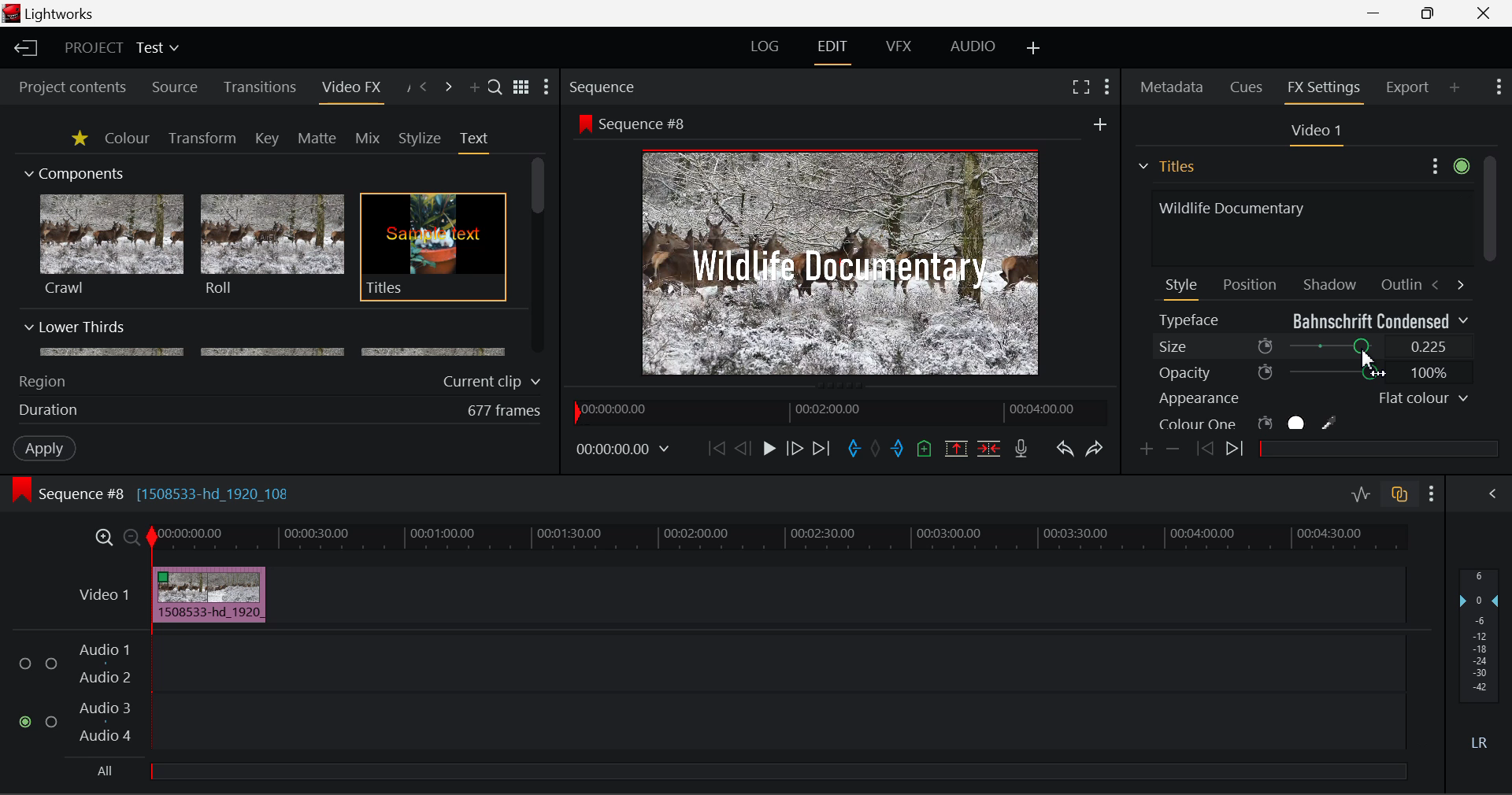 The height and width of the screenshot is (795, 1512). I want to click on Previous keyframes, so click(1203, 449).